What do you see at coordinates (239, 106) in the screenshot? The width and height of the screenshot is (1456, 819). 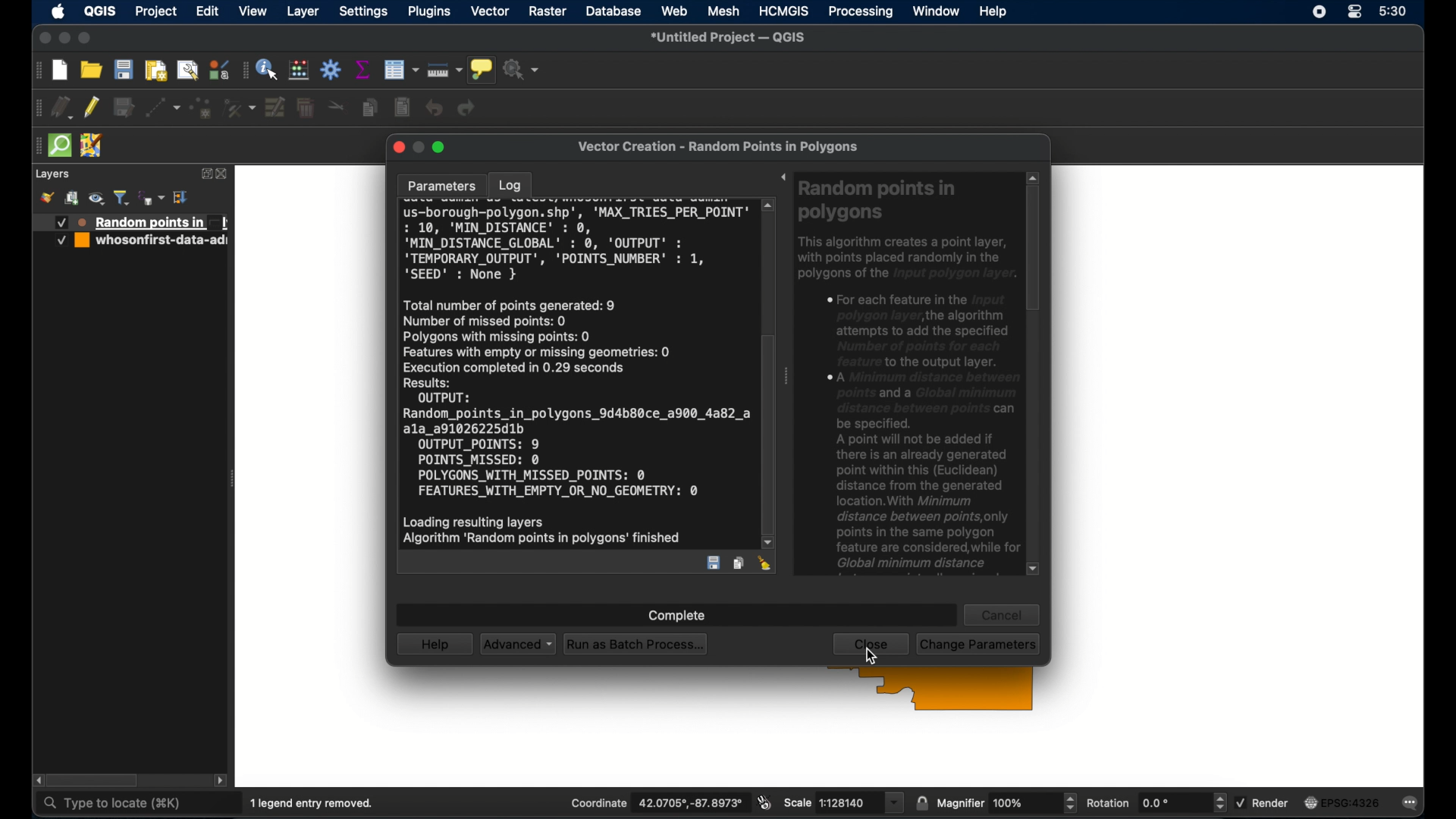 I see `vertex tool` at bounding box center [239, 106].